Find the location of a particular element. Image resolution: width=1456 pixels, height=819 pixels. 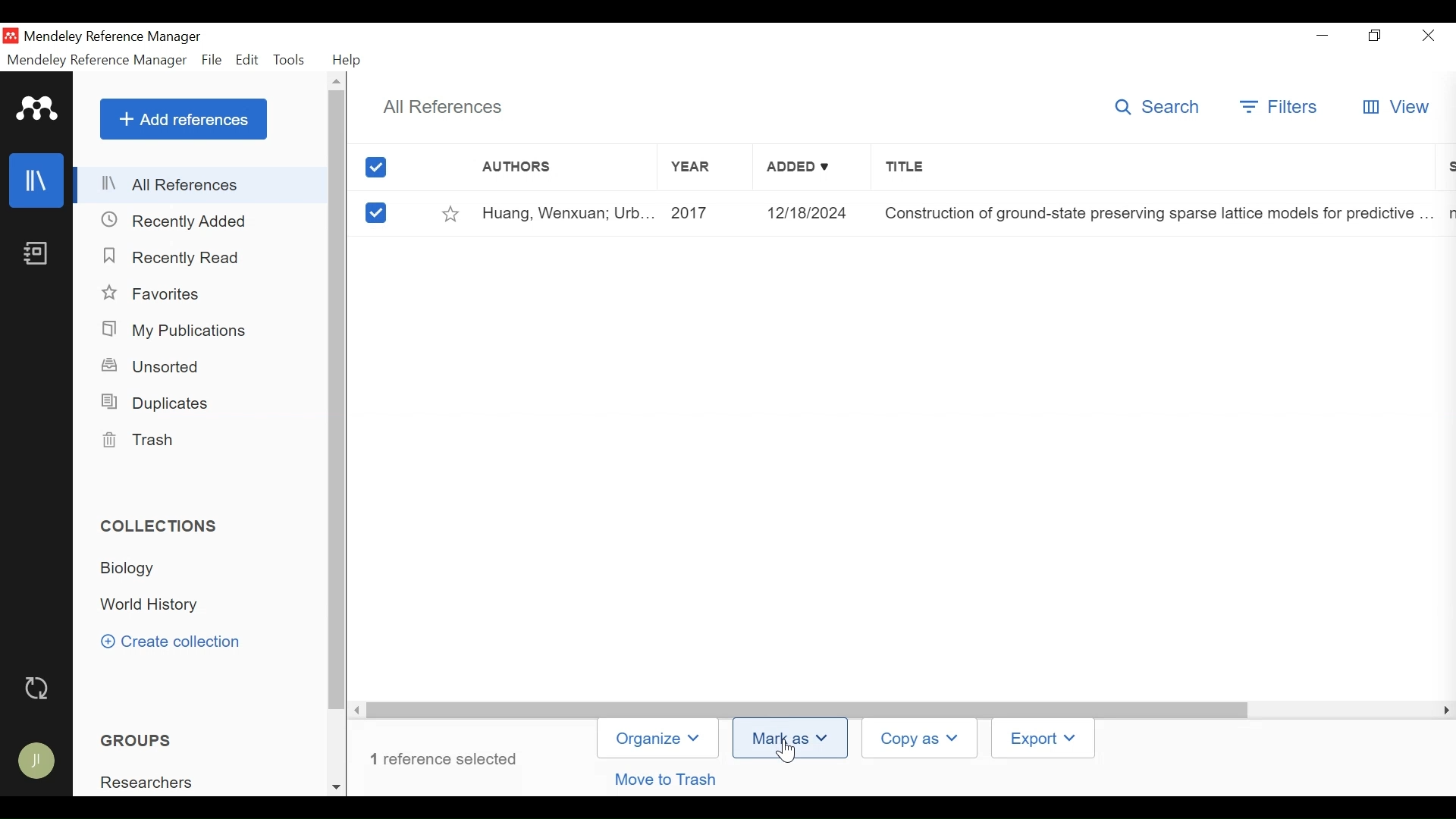

Author is located at coordinates (548, 170).